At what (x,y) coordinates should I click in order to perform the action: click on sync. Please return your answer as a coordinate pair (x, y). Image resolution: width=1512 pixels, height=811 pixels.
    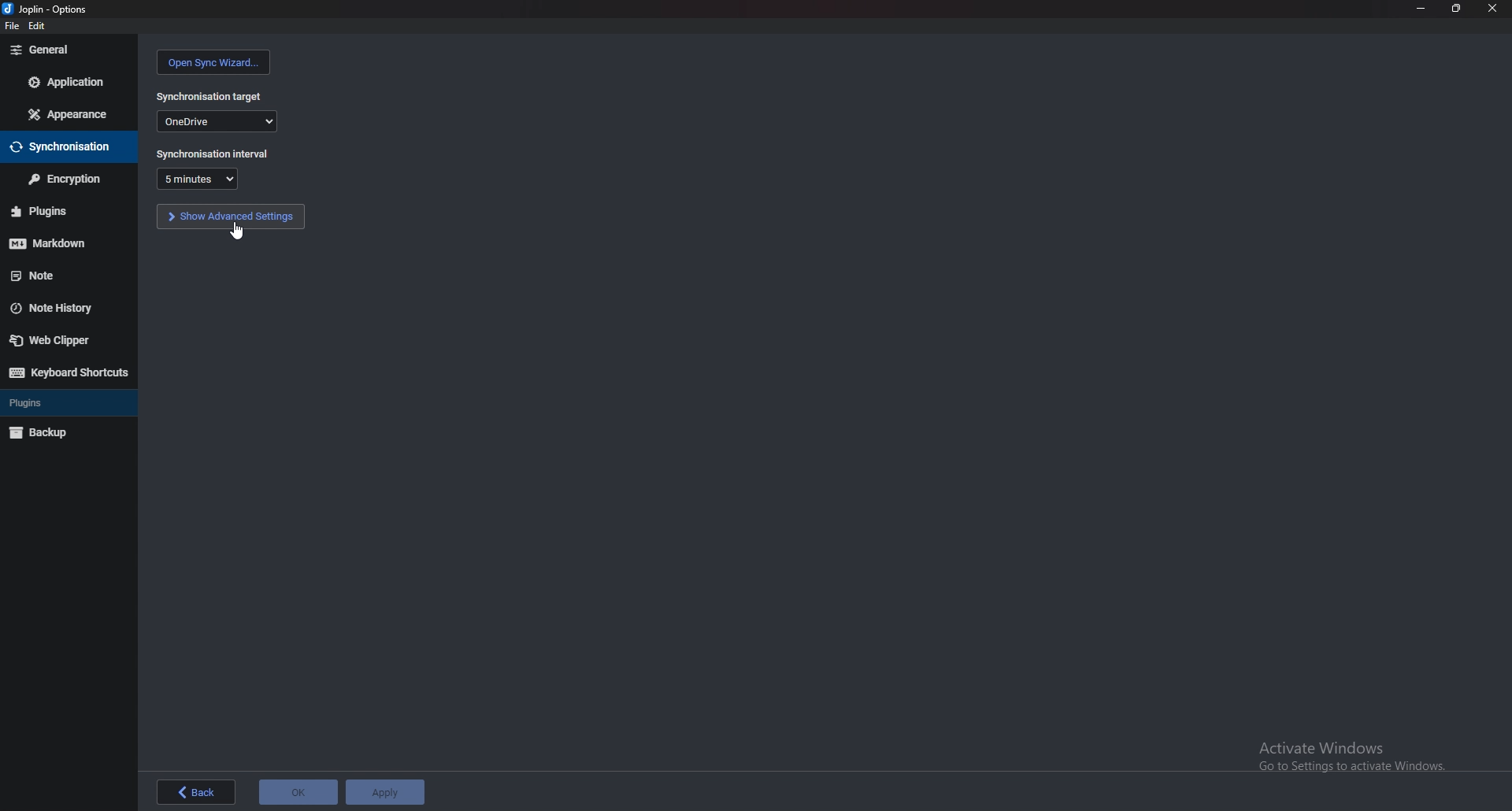
    Looking at the image, I should click on (65, 146).